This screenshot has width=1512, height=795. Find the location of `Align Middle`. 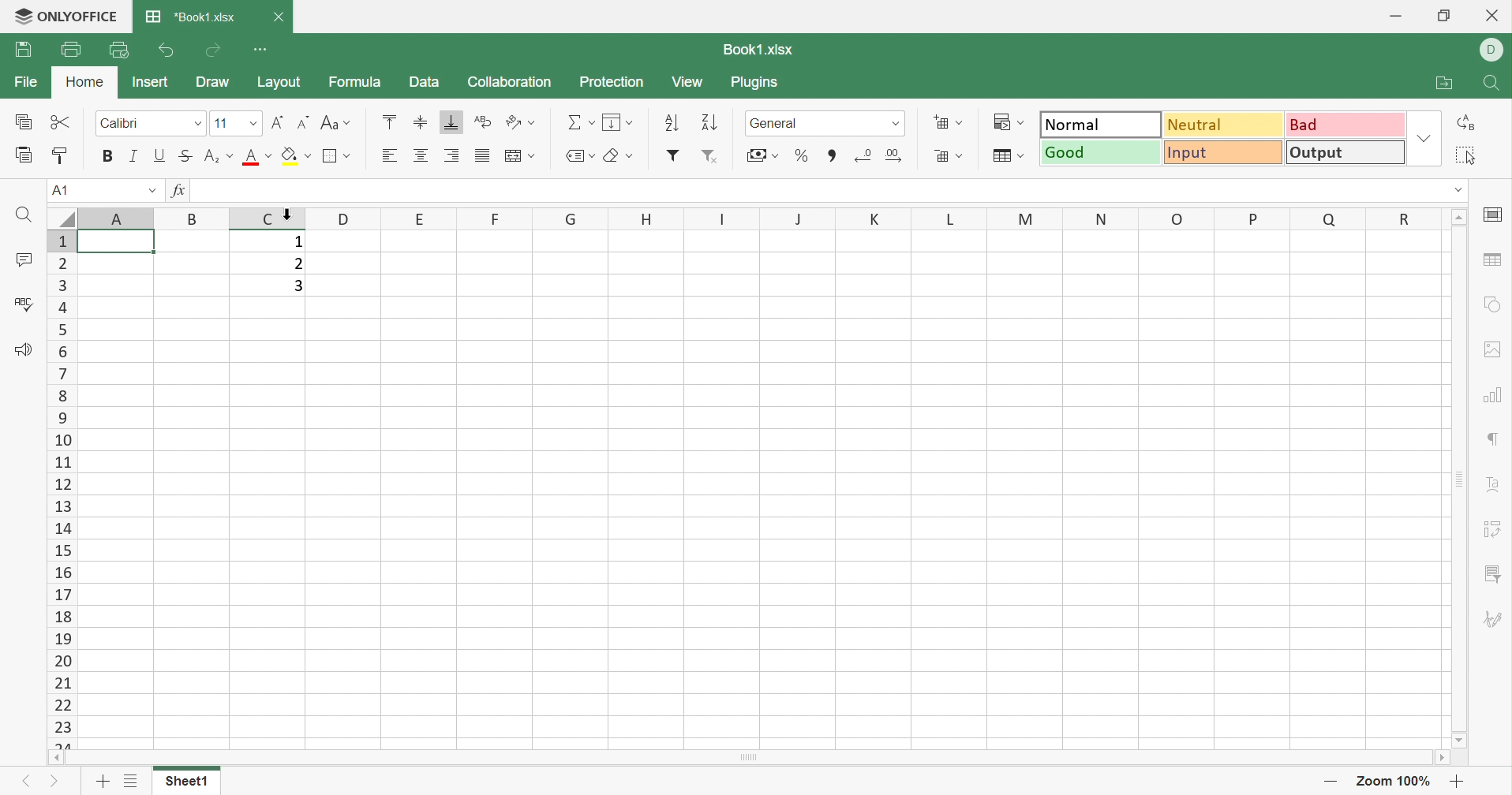

Align Middle is located at coordinates (422, 121).